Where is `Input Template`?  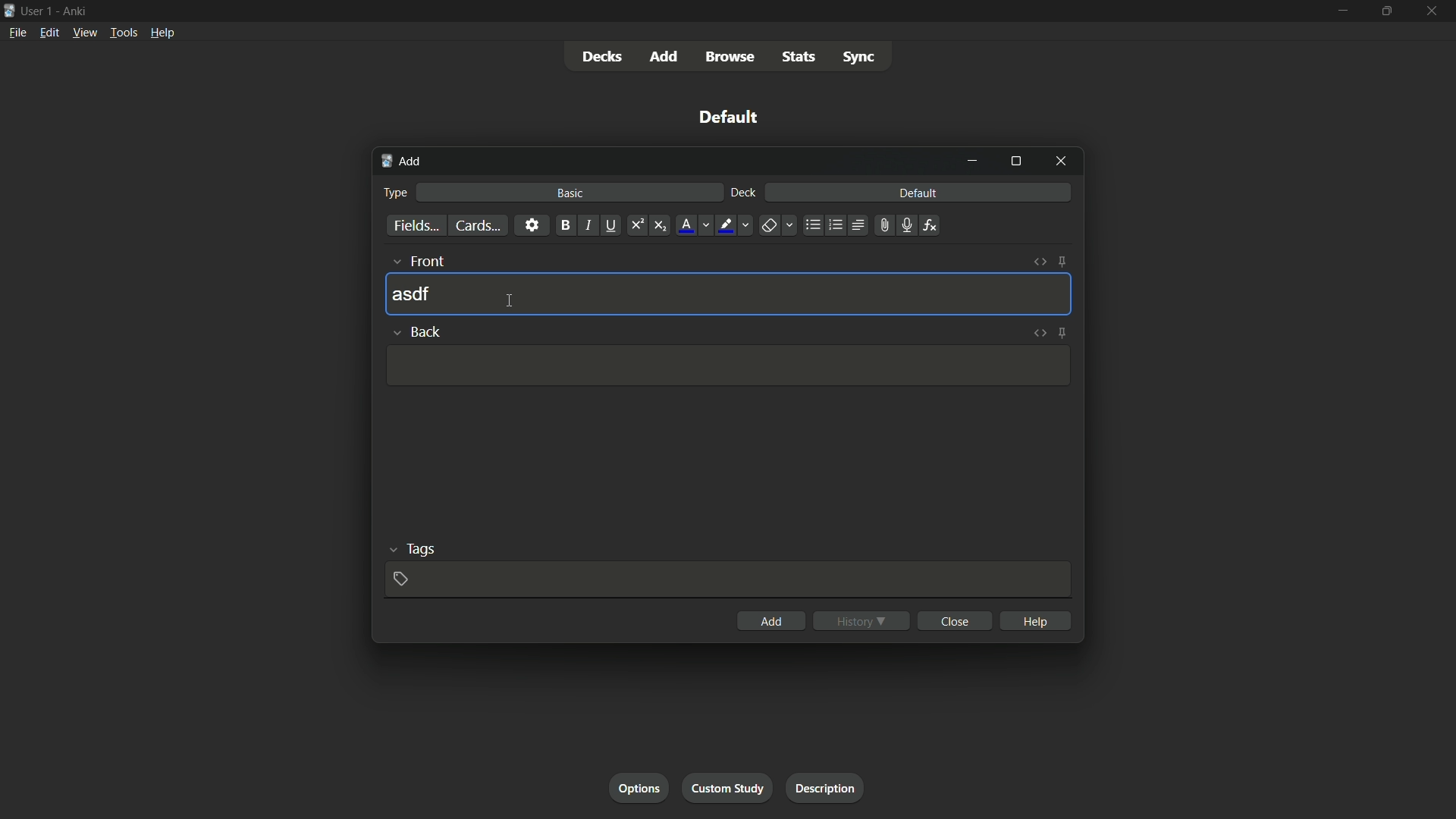
Input Template is located at coordinates (725, 366).